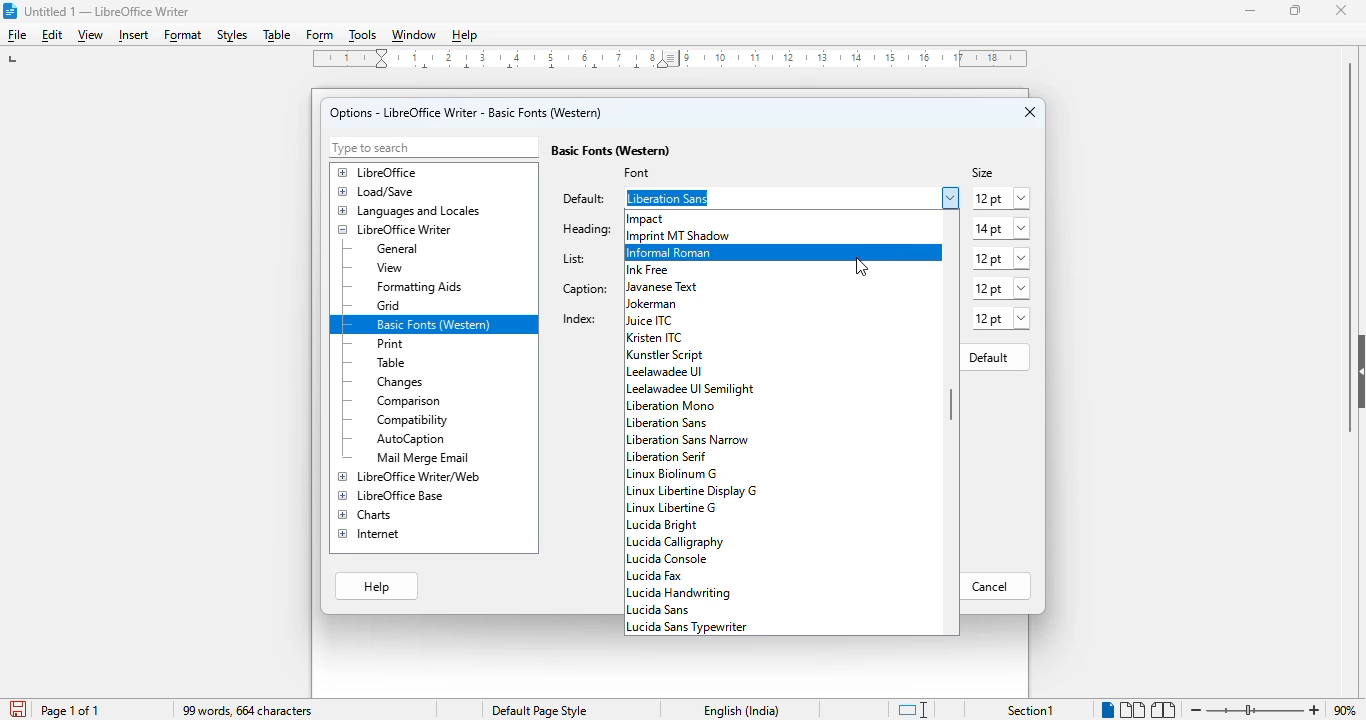  Describe the element at coordinates (1255, 710) in the screenshot. I see `zoom in or zoom out bar` at that location.